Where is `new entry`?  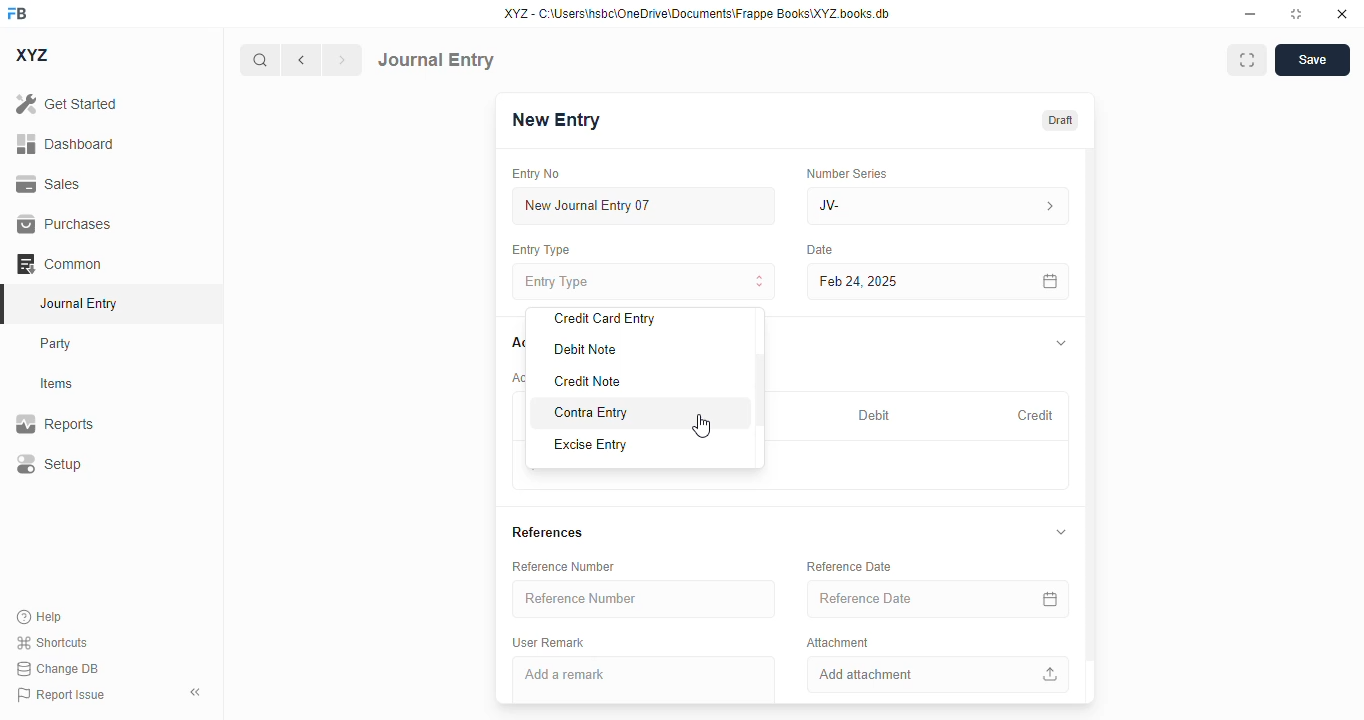 new entry is located at coordinates (557, 119).